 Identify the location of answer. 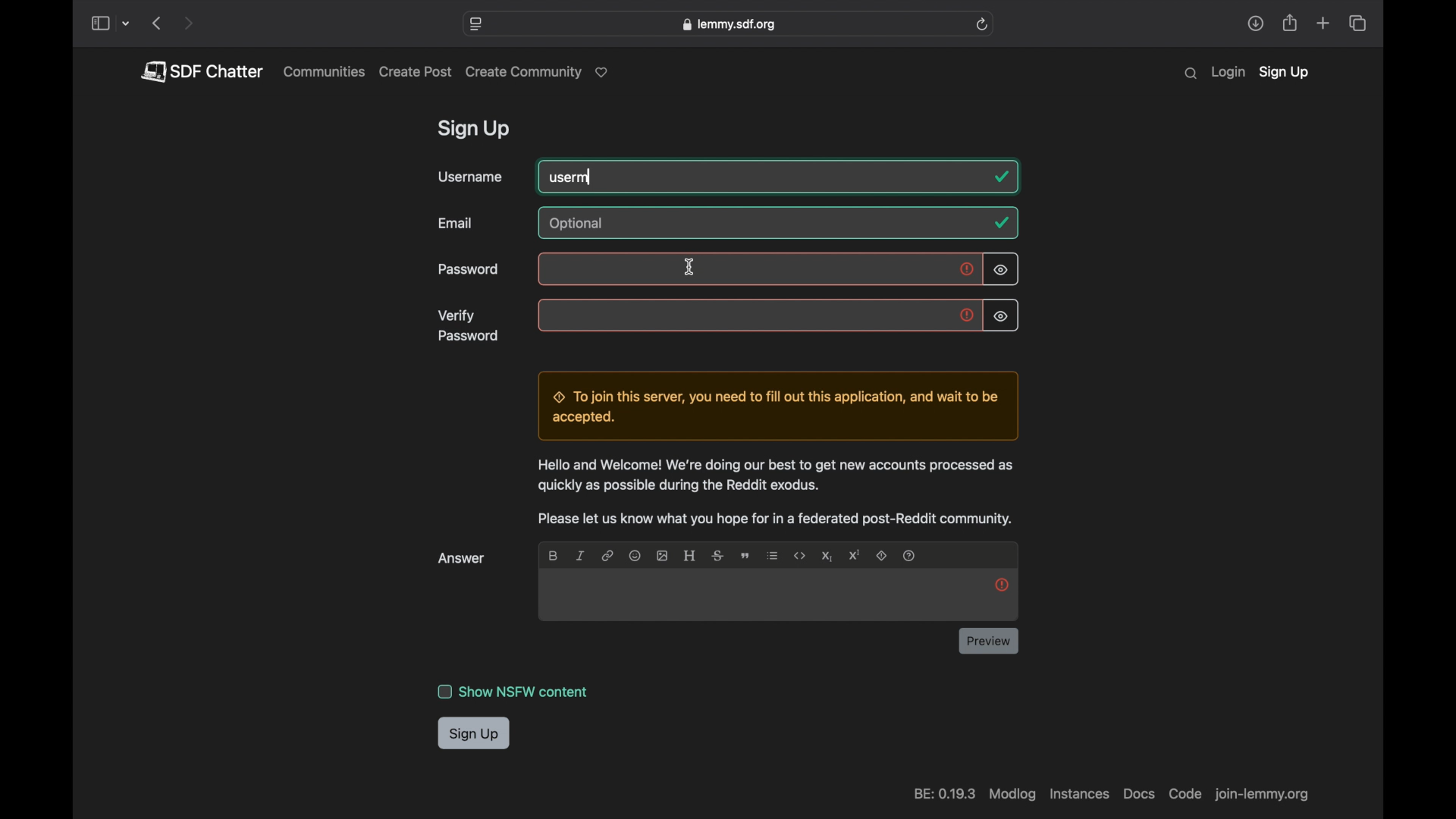
(463, 558).